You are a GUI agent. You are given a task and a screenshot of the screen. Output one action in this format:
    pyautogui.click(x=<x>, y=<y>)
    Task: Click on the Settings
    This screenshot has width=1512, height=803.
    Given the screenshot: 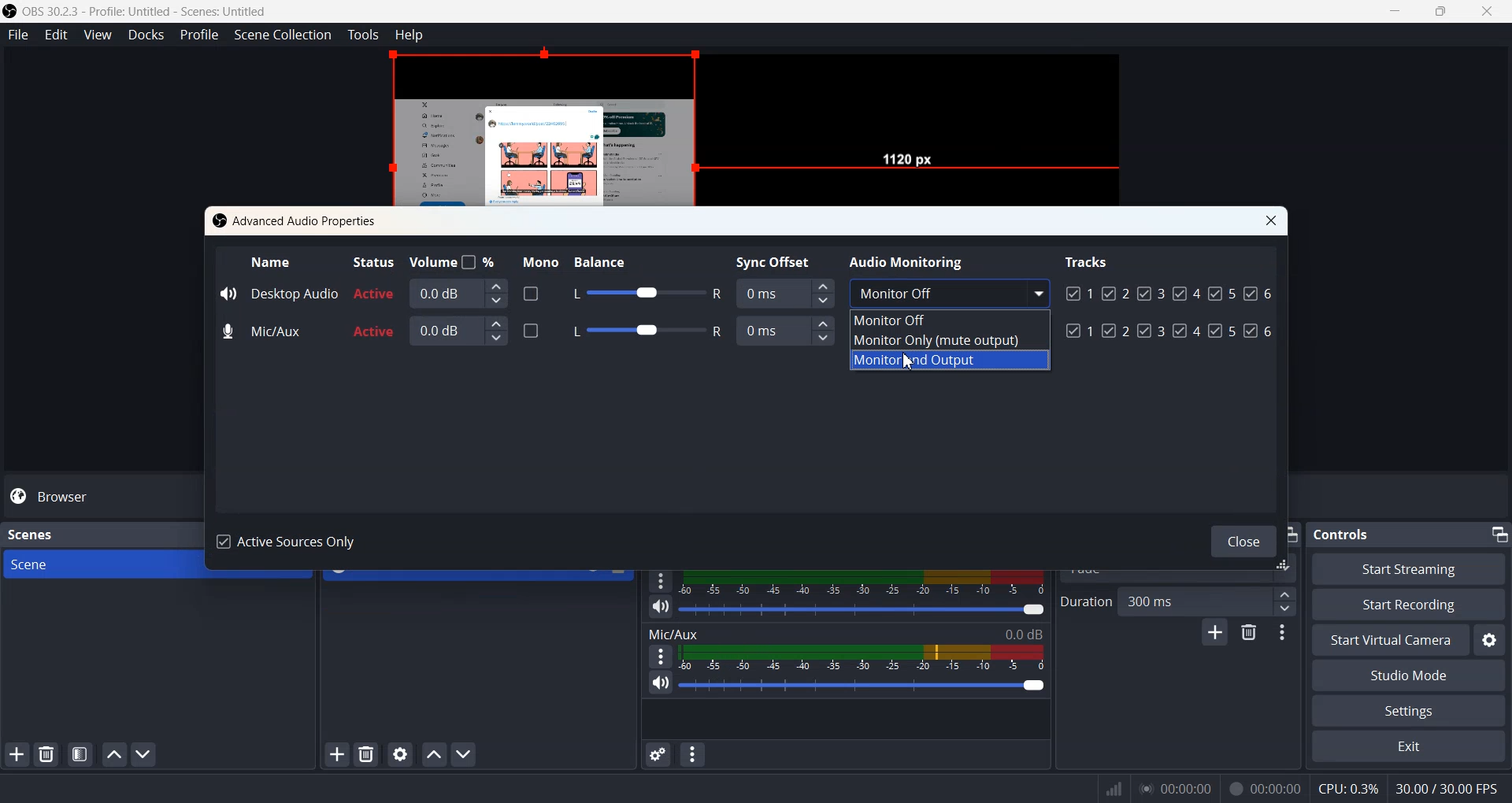 What is the action you would take?
    pyautogui.click(x=1490, y=640)
    